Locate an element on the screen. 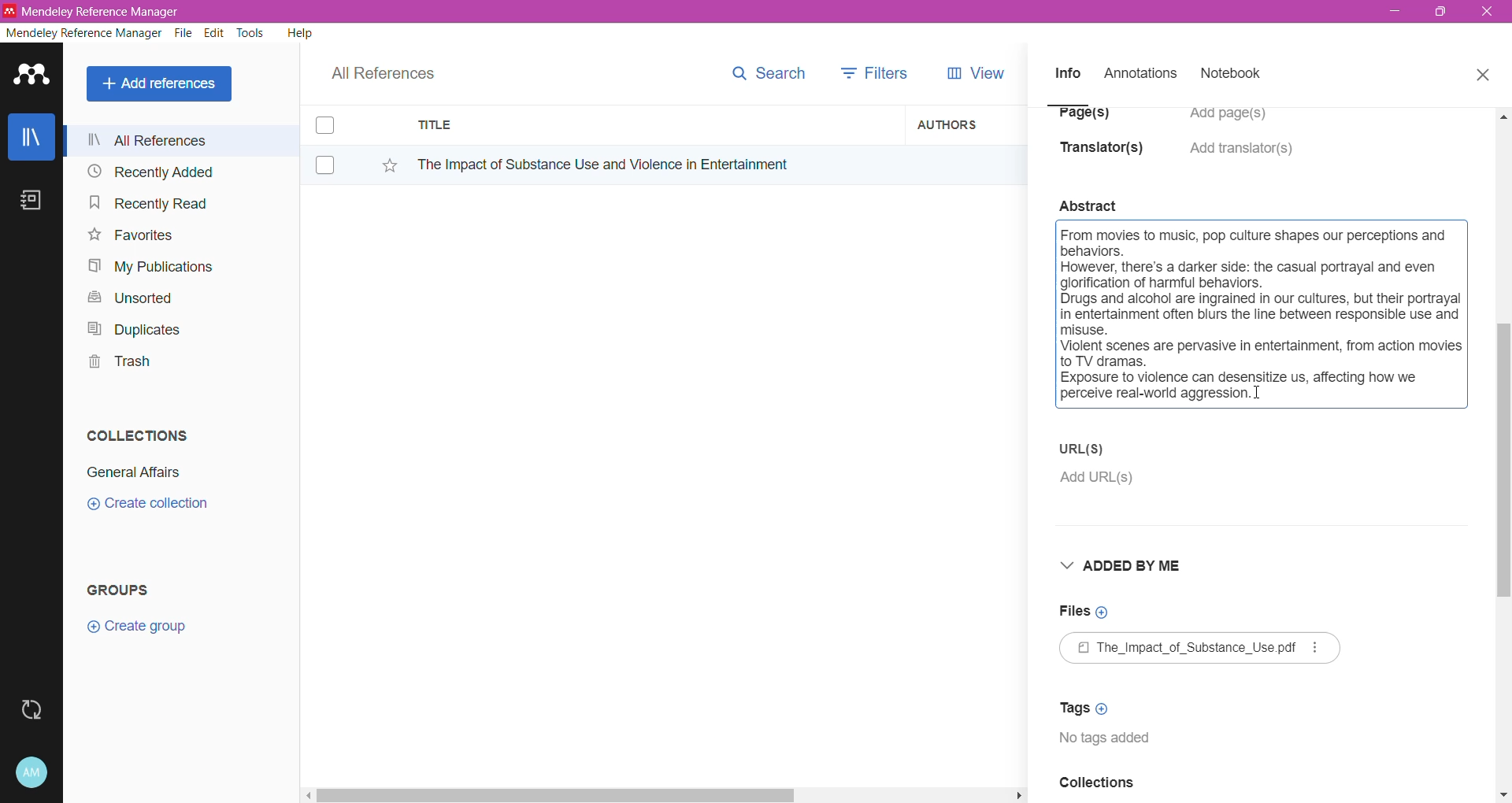 The height and width of the screenshot is (803, 1512). Favorites is located at coordinates (129, 235).